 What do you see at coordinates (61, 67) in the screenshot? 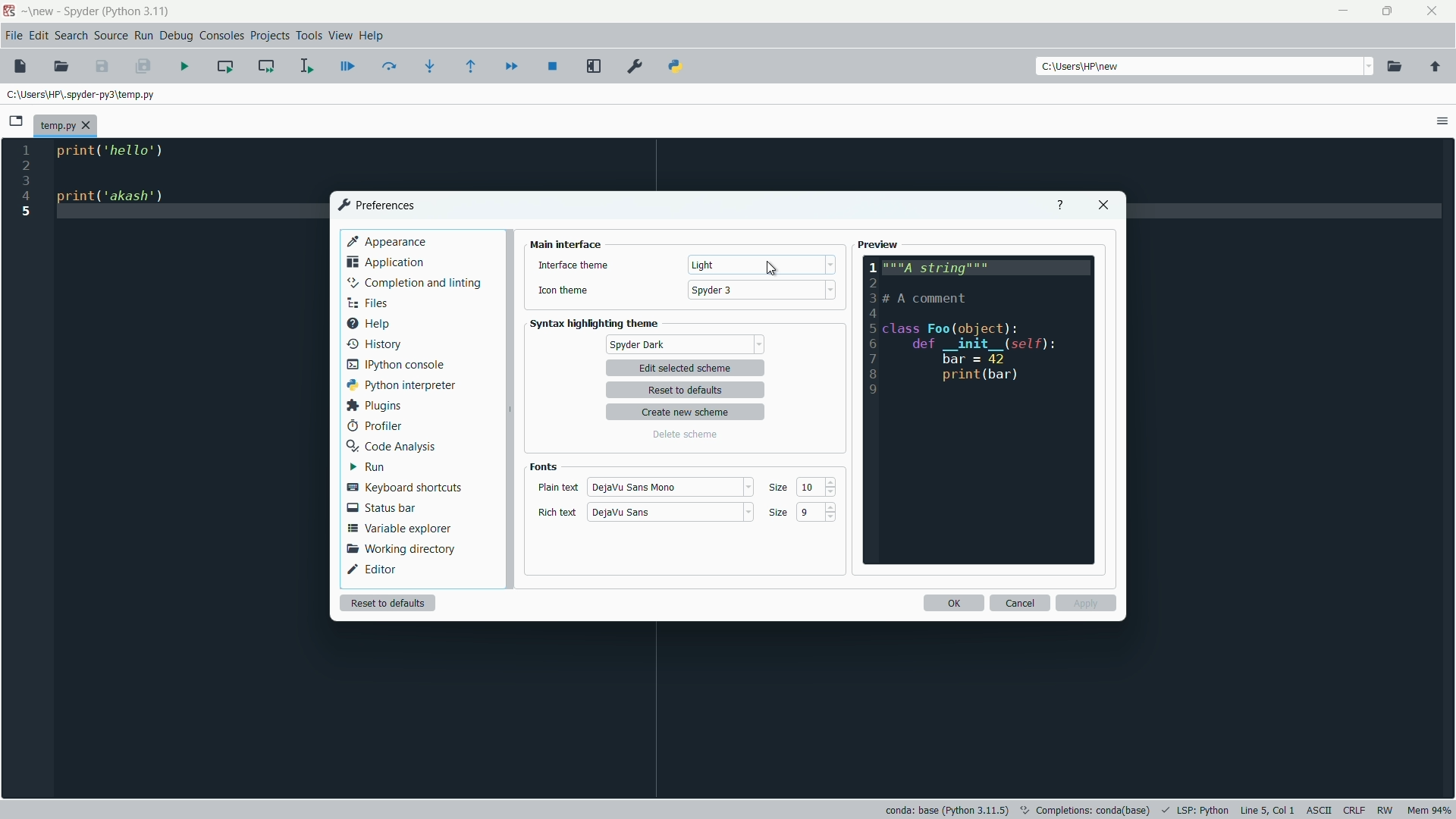
I see `open file` at bounding box center [61, 67].